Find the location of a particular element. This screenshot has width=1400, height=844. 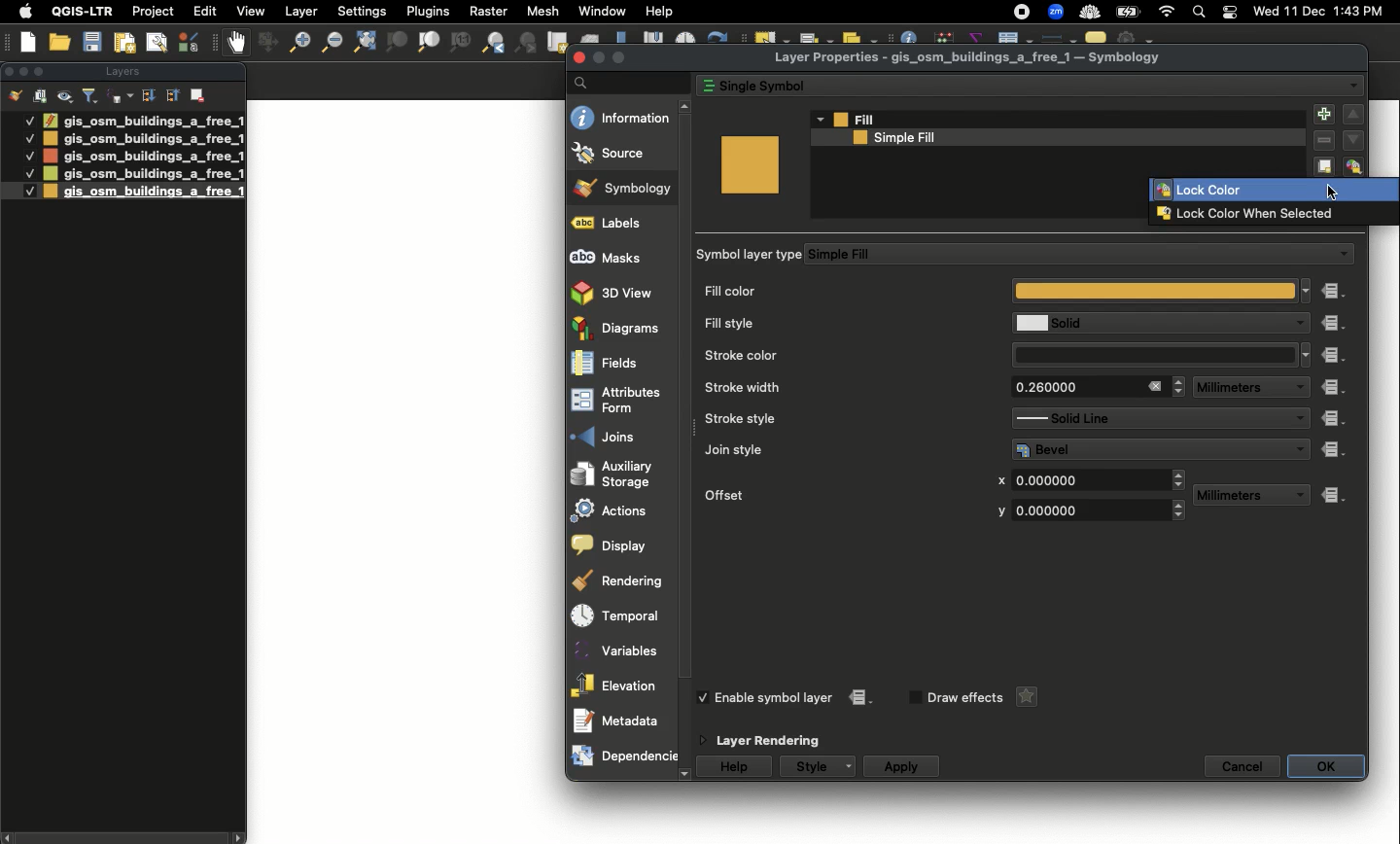

Maximize is located at coordinates (43, 71).